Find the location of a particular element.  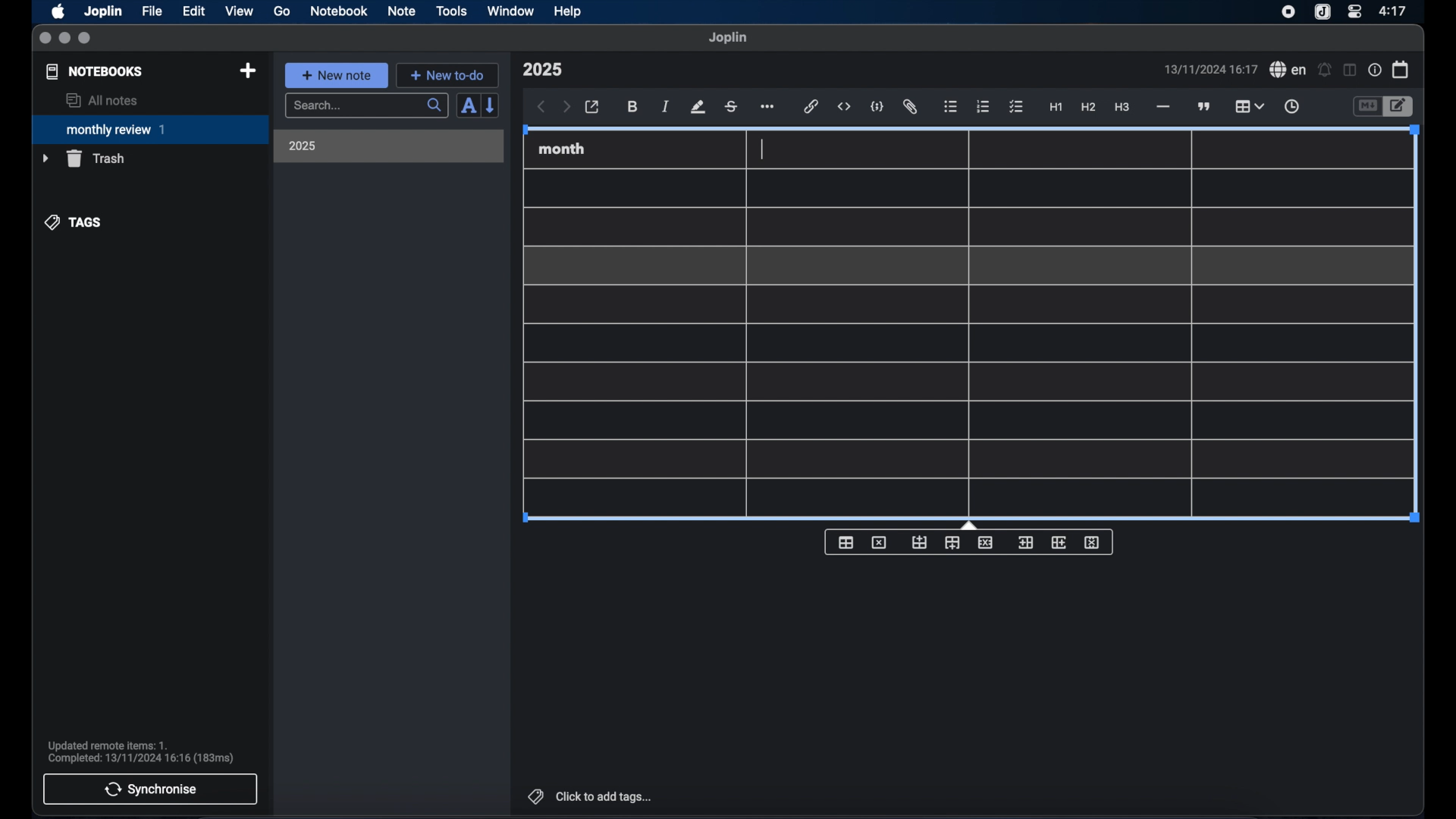

new note is located at coordinates (336, 75).